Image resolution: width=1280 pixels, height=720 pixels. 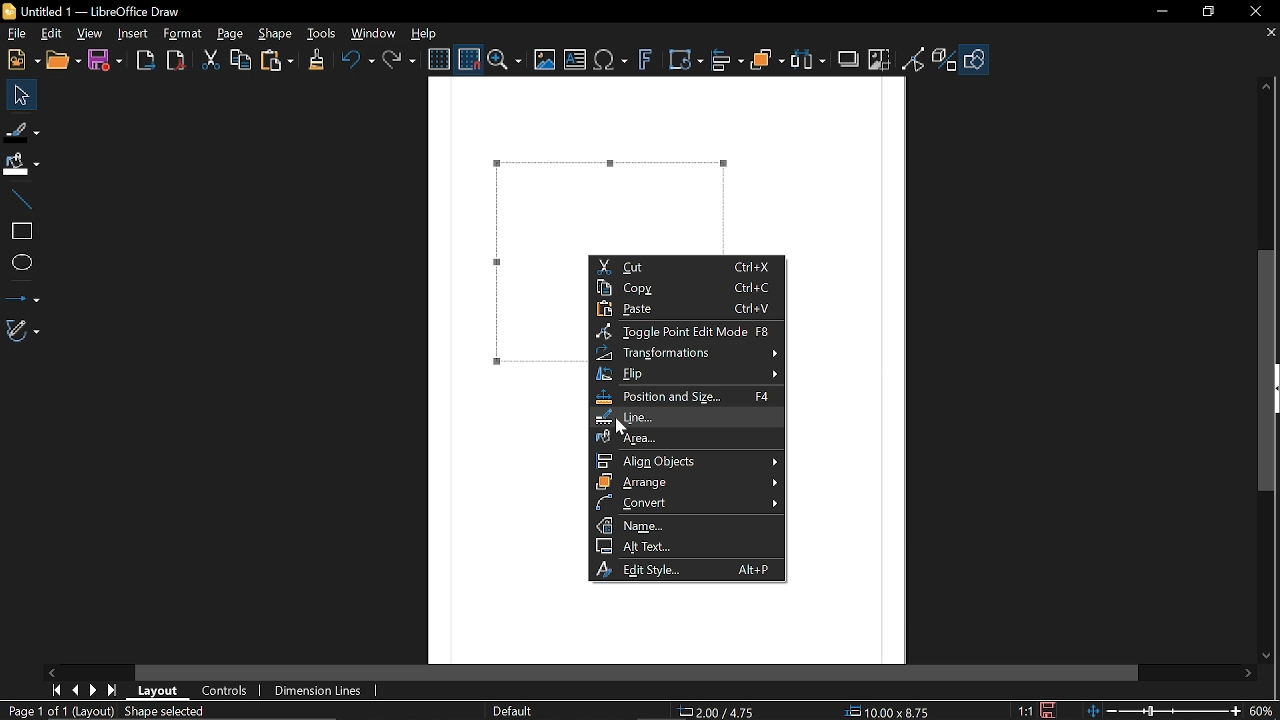 What do you see at coordinates (439, 60) in the screenshot?
I see `Display grid` at bounding box center [439, 60].